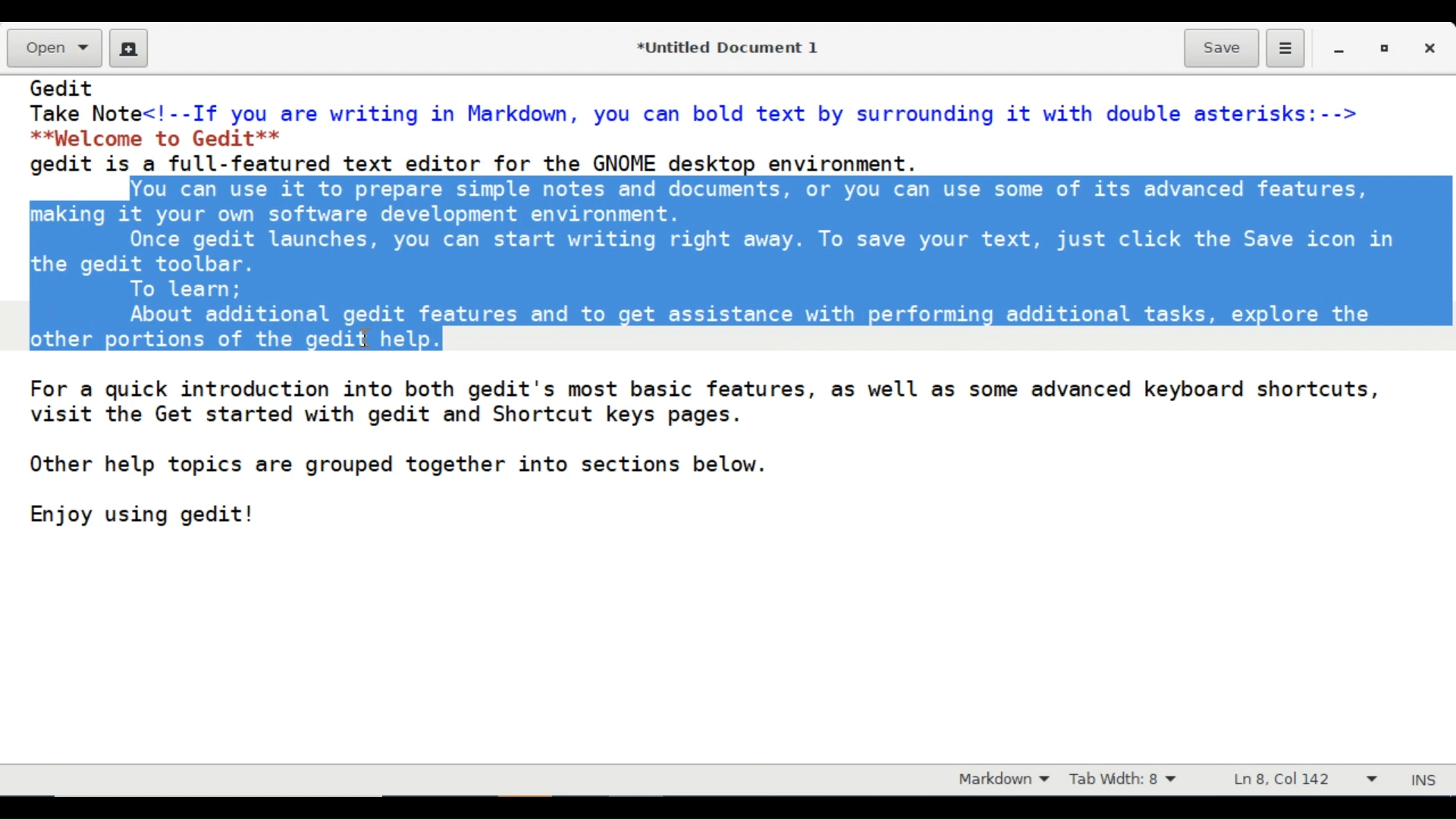 This screenshot has width=1456, height=819. I want to click on minimize, so click(1341, 48).